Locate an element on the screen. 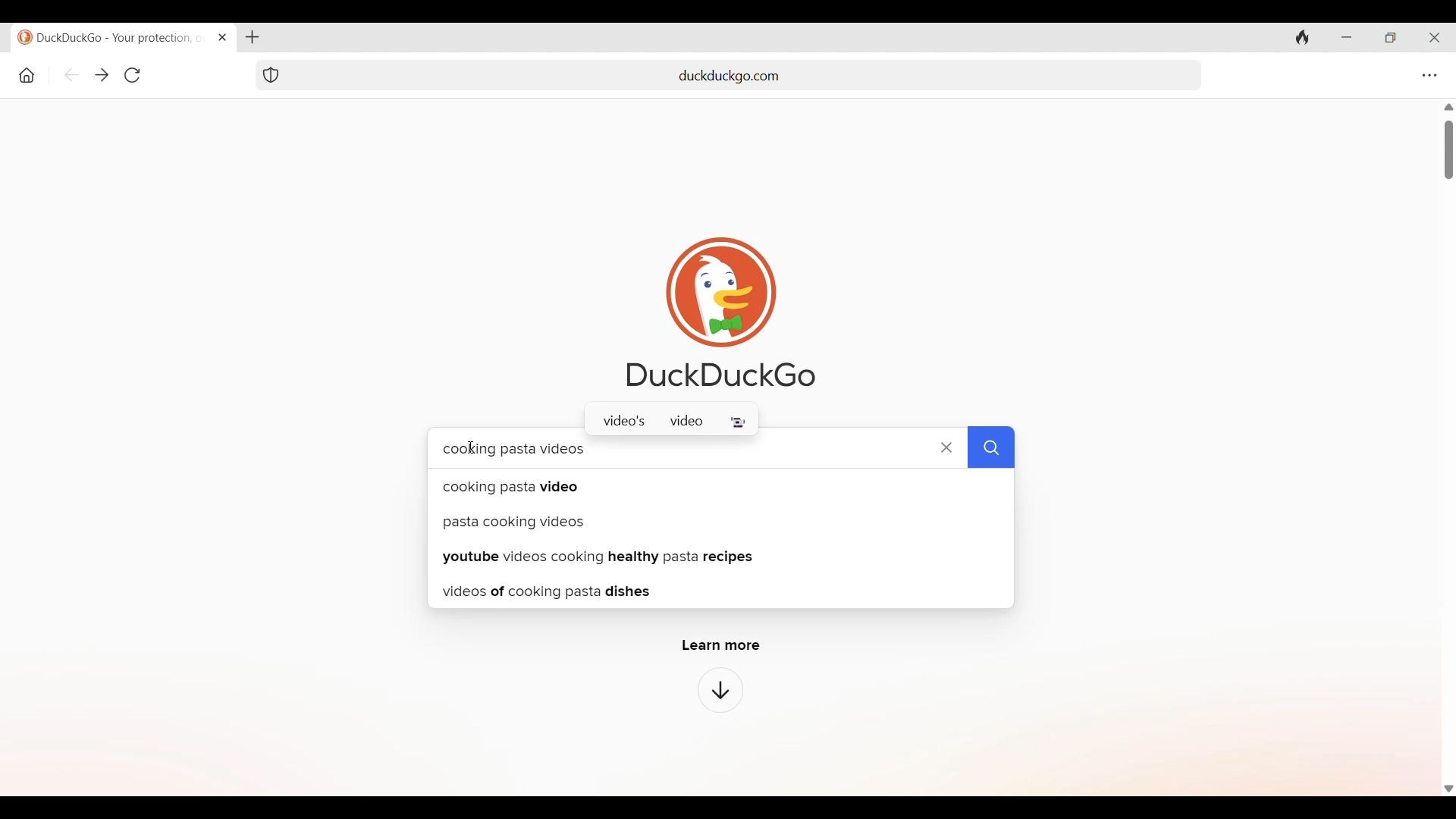 Image resolution: width=1456 pixels, height=819 pixels. Pasta cooking videos is located at coordinates (717, 520).